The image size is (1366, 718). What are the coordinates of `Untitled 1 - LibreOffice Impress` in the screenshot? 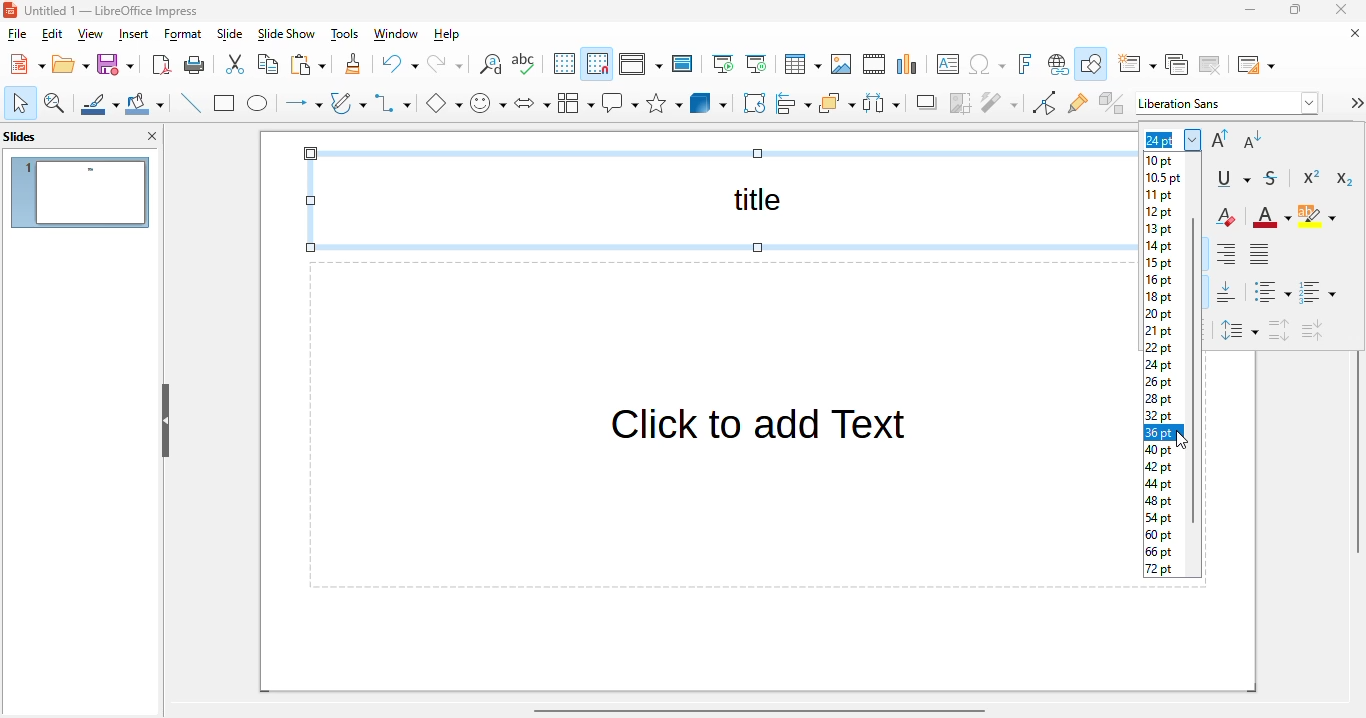 It's located at (113, 10).